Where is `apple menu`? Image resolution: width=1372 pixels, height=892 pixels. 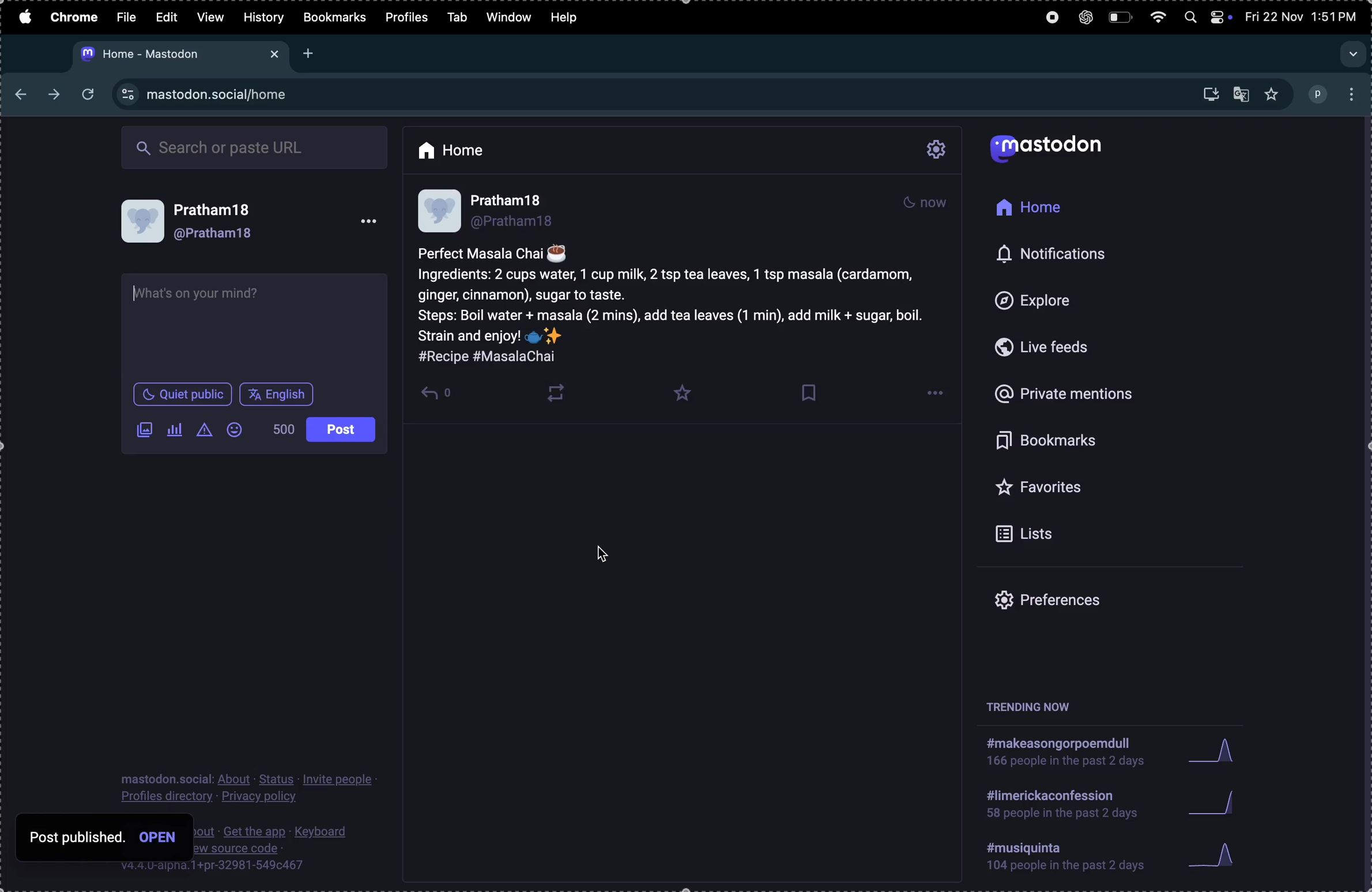 apple menu is located at coordinates (24, 17).